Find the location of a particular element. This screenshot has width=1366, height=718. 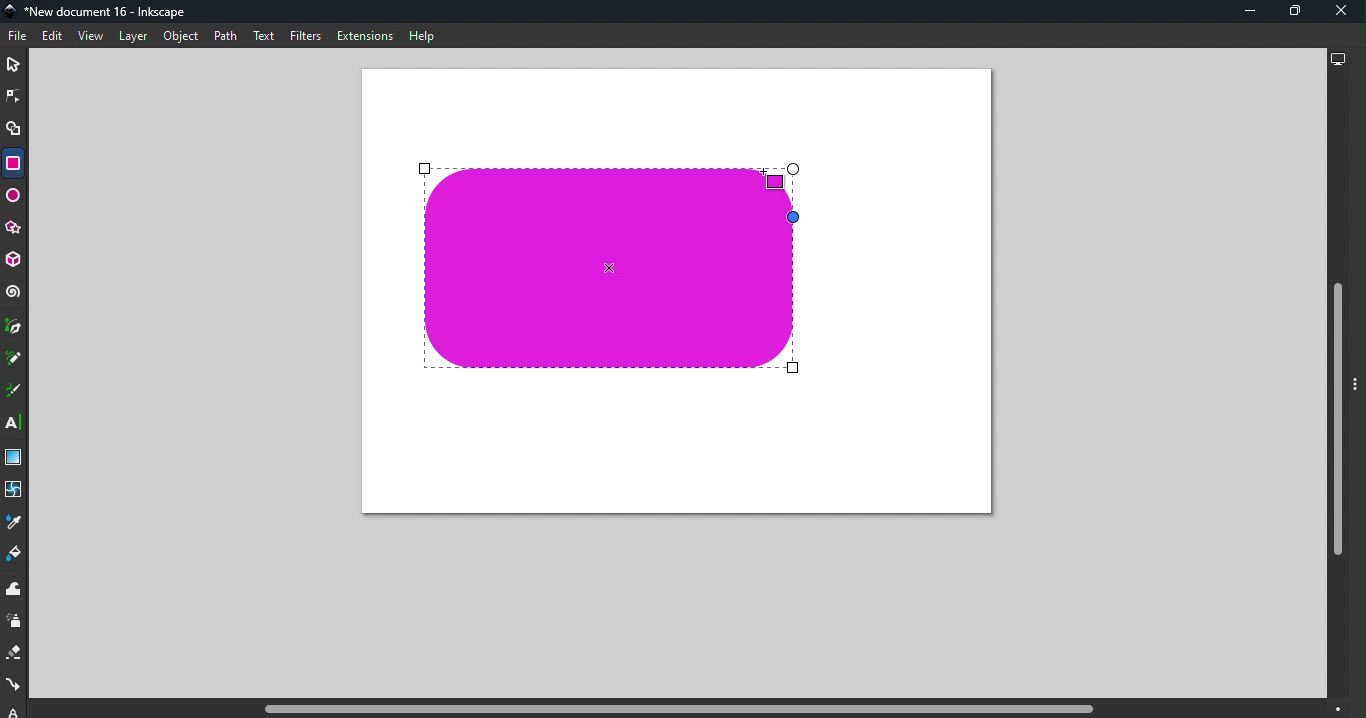

Shape builder tool is located at coordinates (16, 132).